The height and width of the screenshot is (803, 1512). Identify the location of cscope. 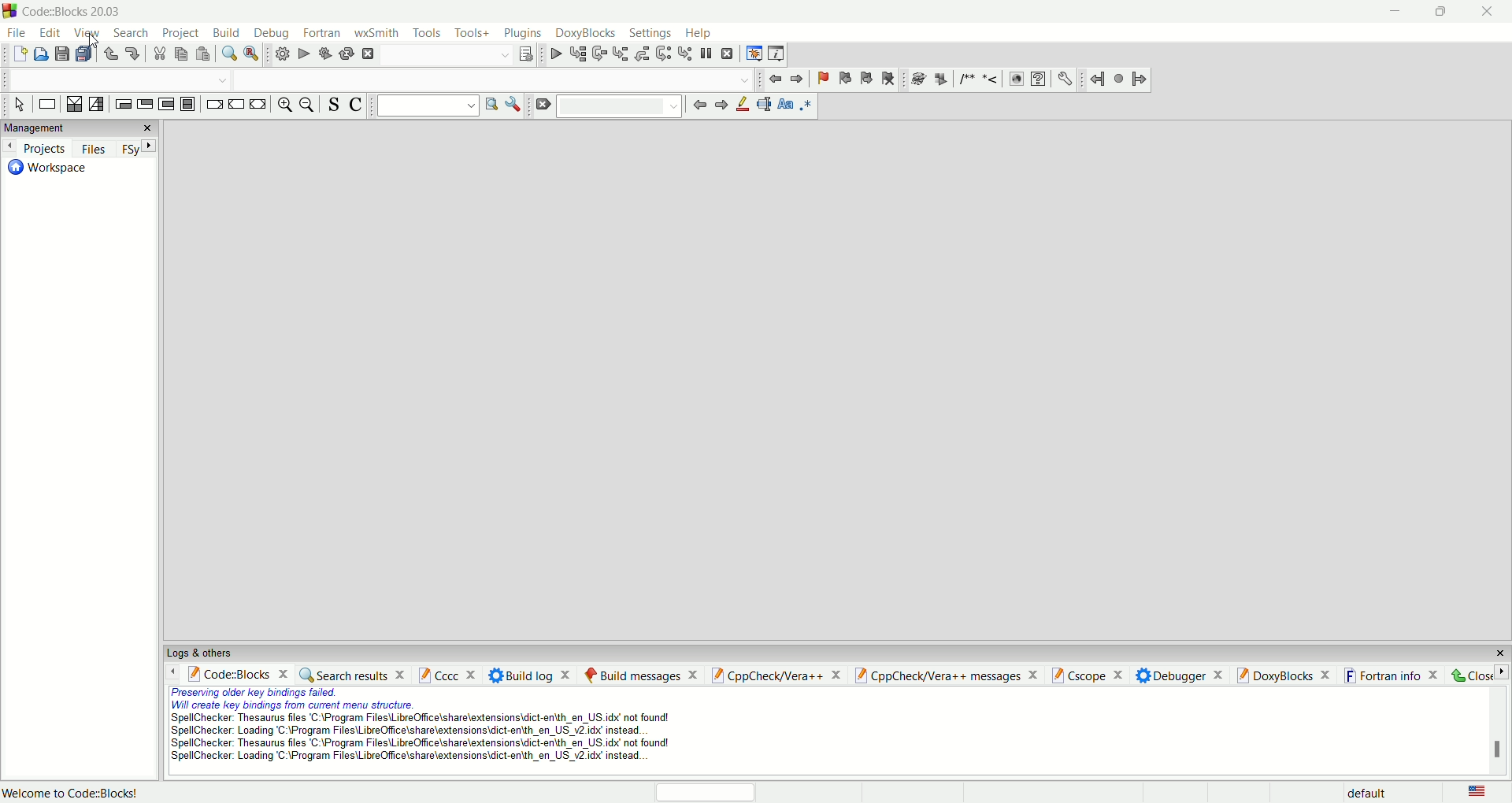
(1088, 676).